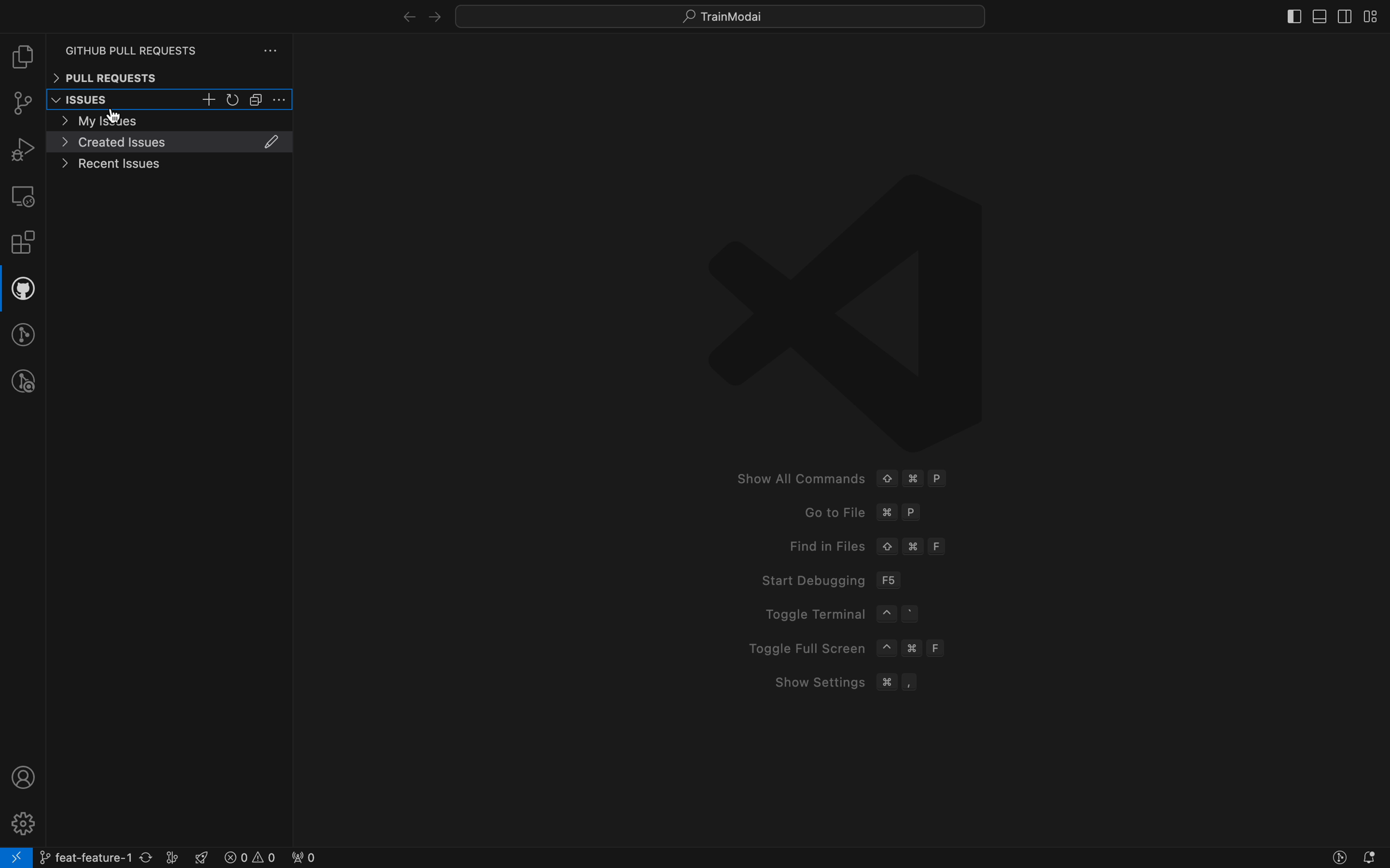 The width and height of the screenshot is (1390, 868). What do you see at coordinates (1371, 16) in the screenshot?
I see `layouts` at bounding box center [1371, 16].